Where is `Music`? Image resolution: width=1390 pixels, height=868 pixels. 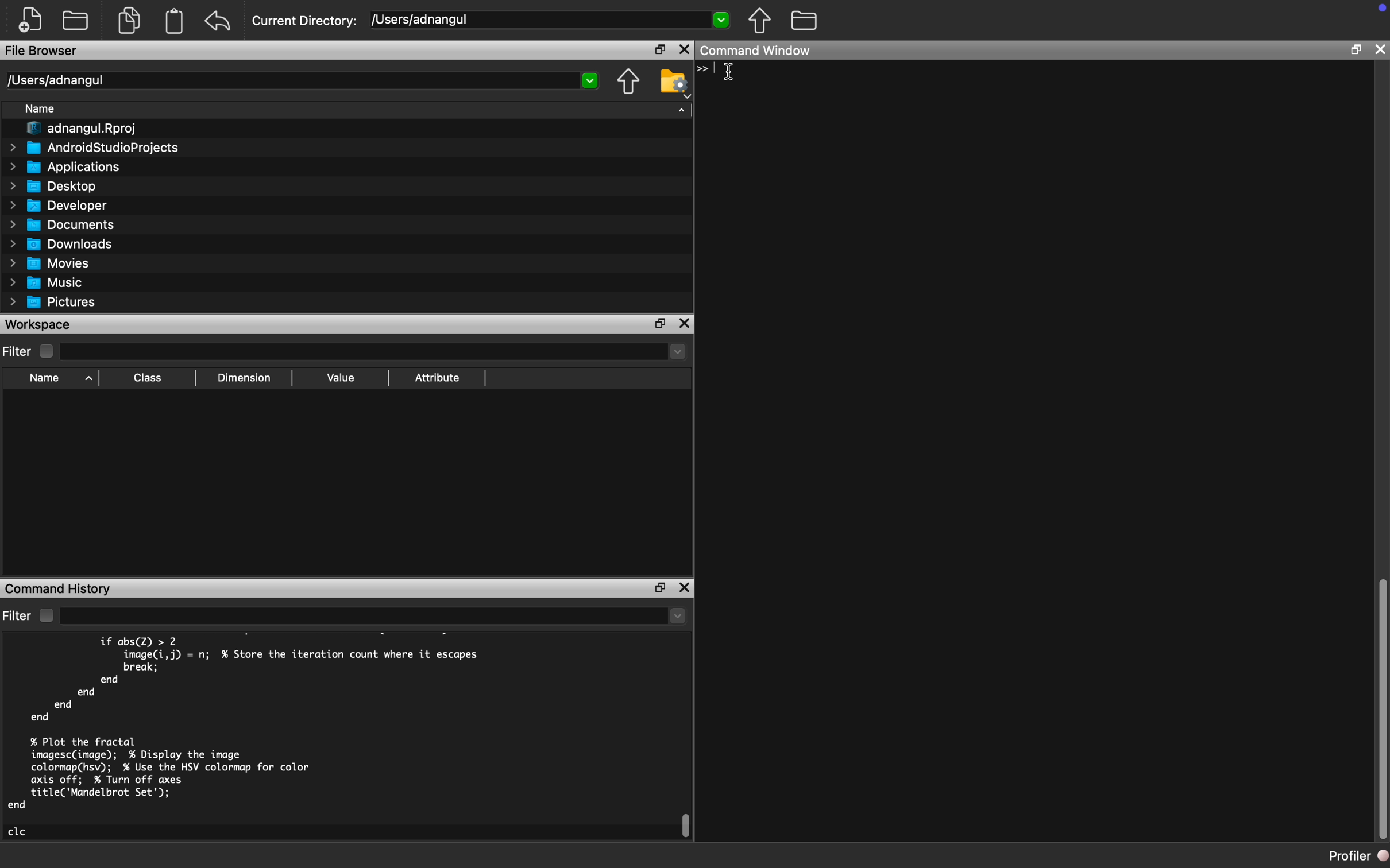 Music is located at coordinates (48, 284).